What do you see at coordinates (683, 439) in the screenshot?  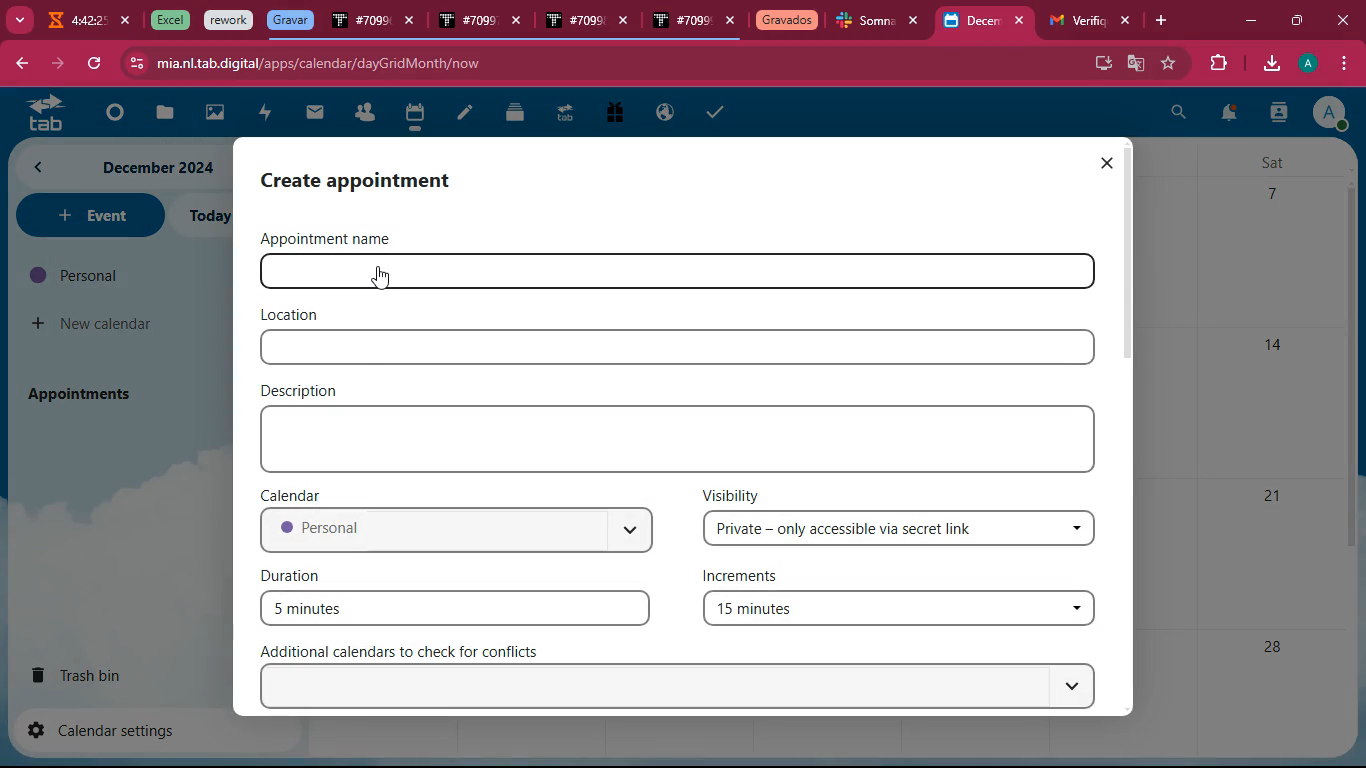 I see `type` at bounding box center [683, 439].